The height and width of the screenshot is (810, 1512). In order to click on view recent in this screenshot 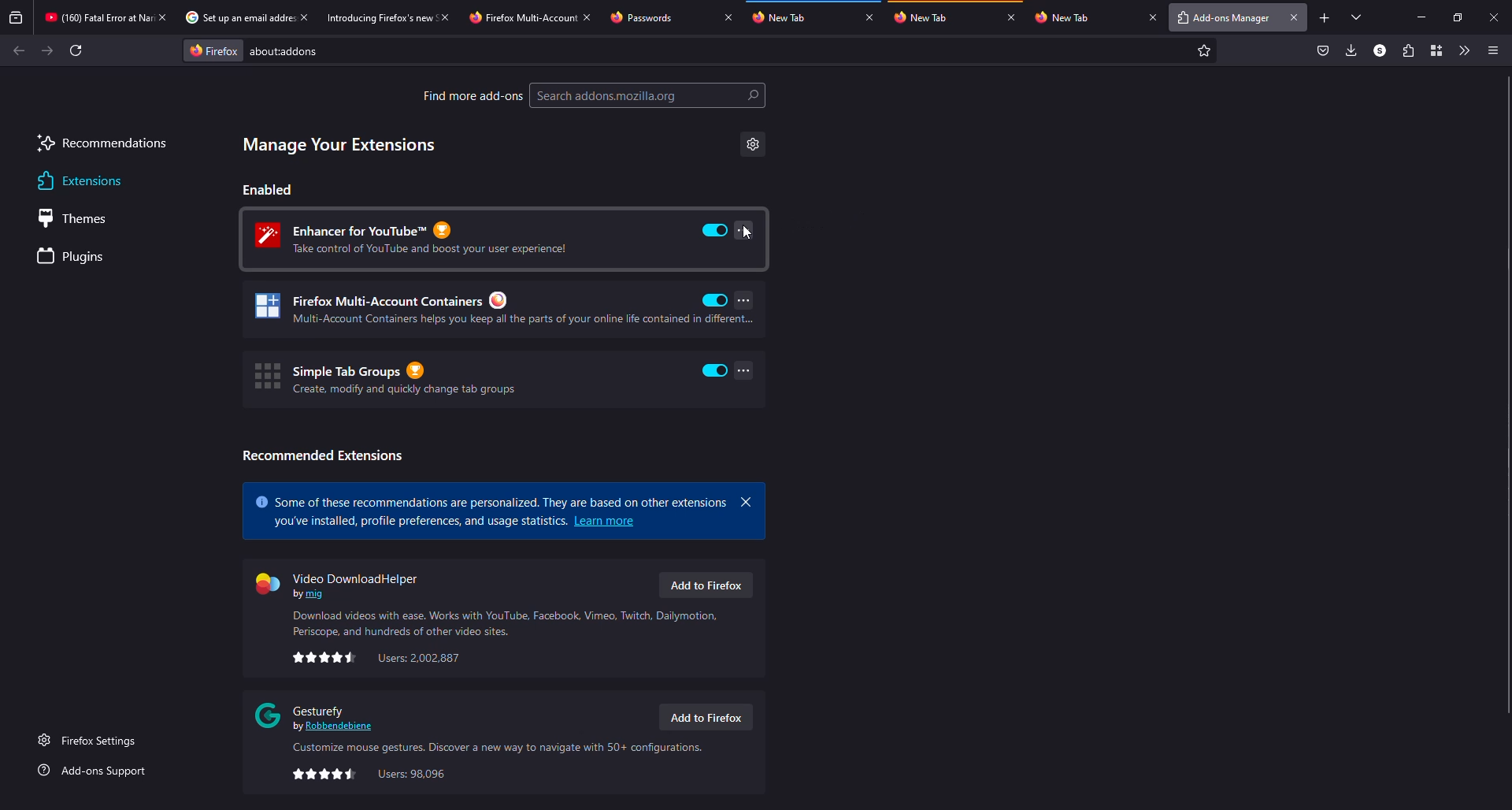, I will do `click(17, 17)`.